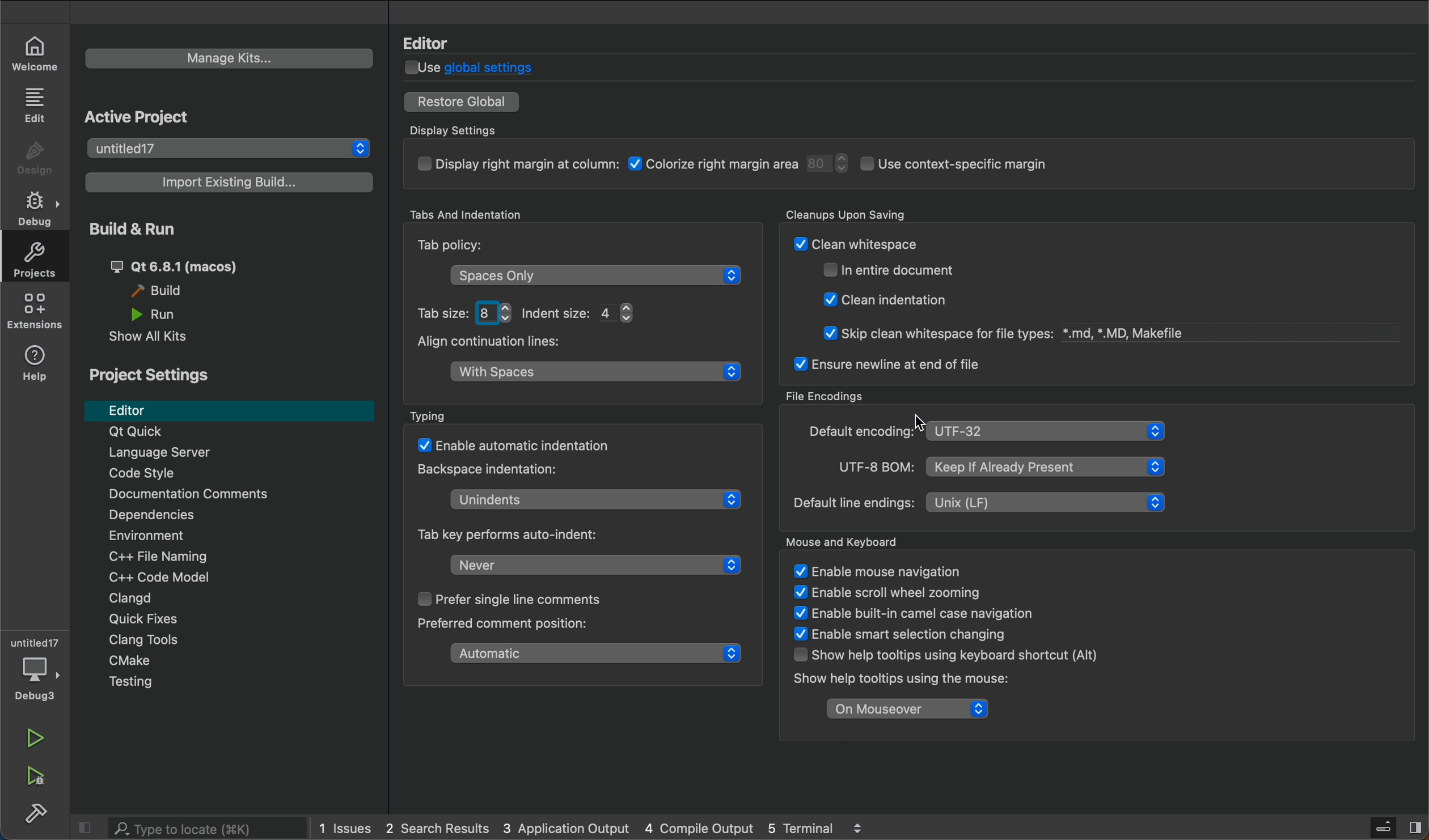  What do you see at coordinates (515, 444) in the screenshot?
I see `auto matic indentation ` at bounding box center [515, 444].